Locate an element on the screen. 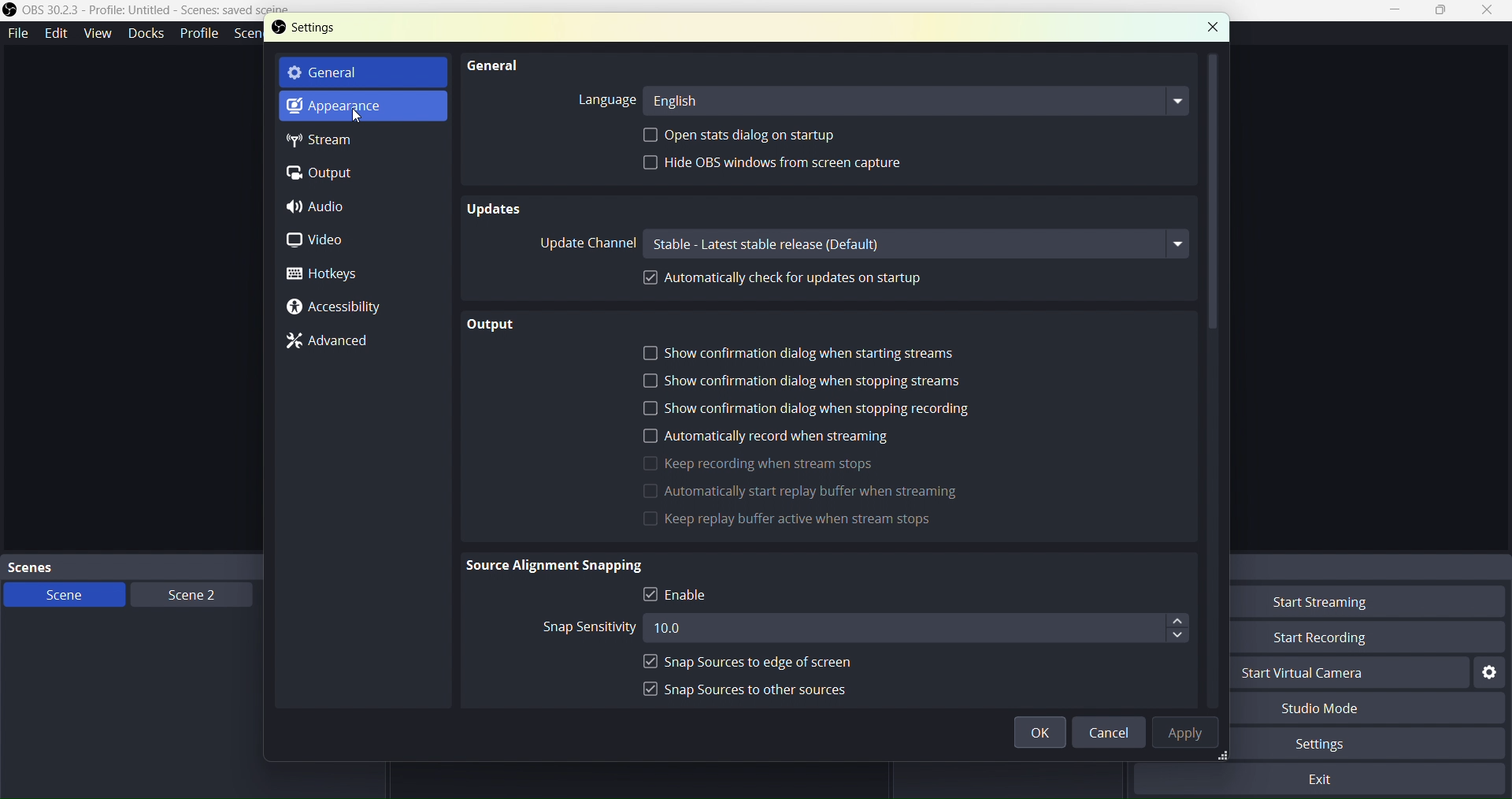 Image resolution: width=1512 pixels, height=799 pixels. Video is located at coordinates (328, 242).